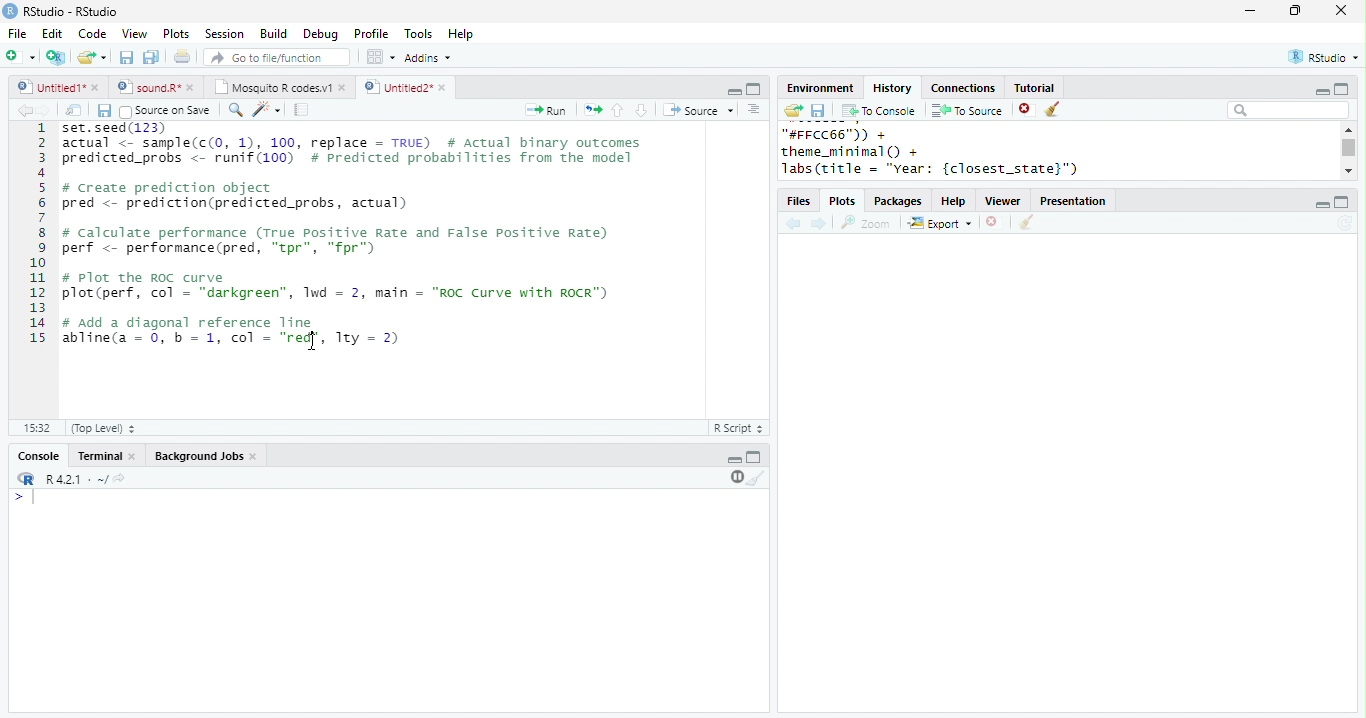 Image resolution: width=1366 pixels, height=718 pixels. I want to click on Tools, so click(419, 34).